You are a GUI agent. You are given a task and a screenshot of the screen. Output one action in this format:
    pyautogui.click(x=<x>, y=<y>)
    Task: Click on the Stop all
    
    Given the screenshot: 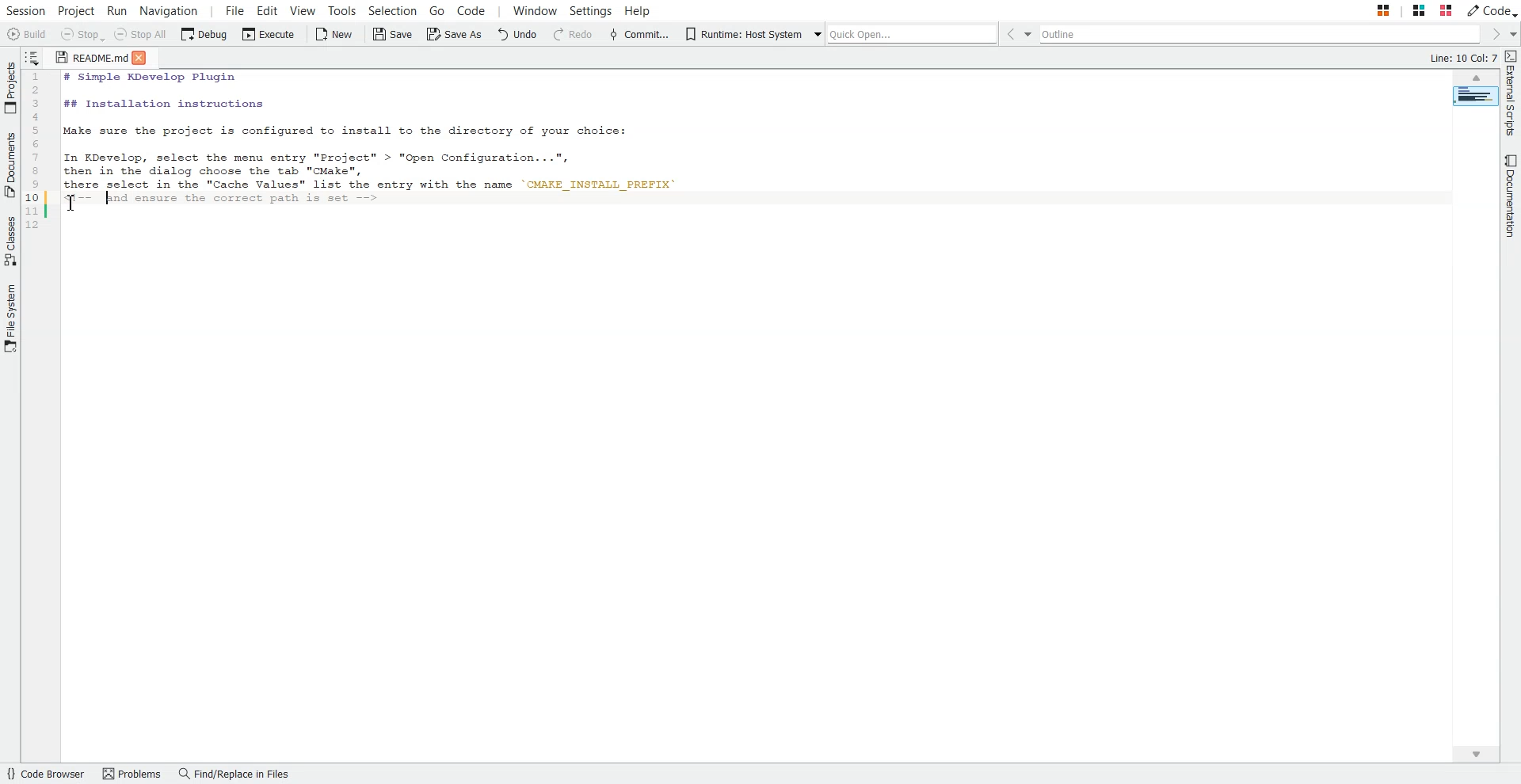 What is the action you would take?
    pyautogui.click(x=140, y=35)
    